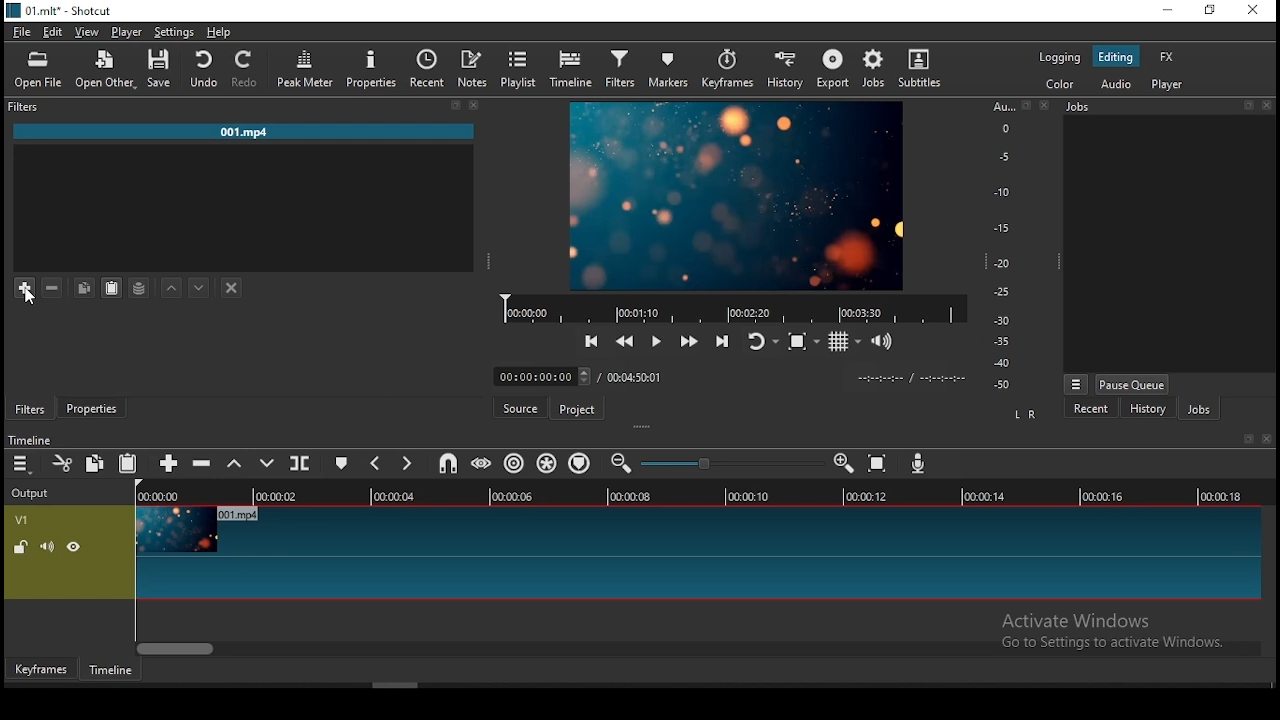 Image resolution: width=1280 pixels, height=720 pixels. I want to click on history, so click(1143, 411).